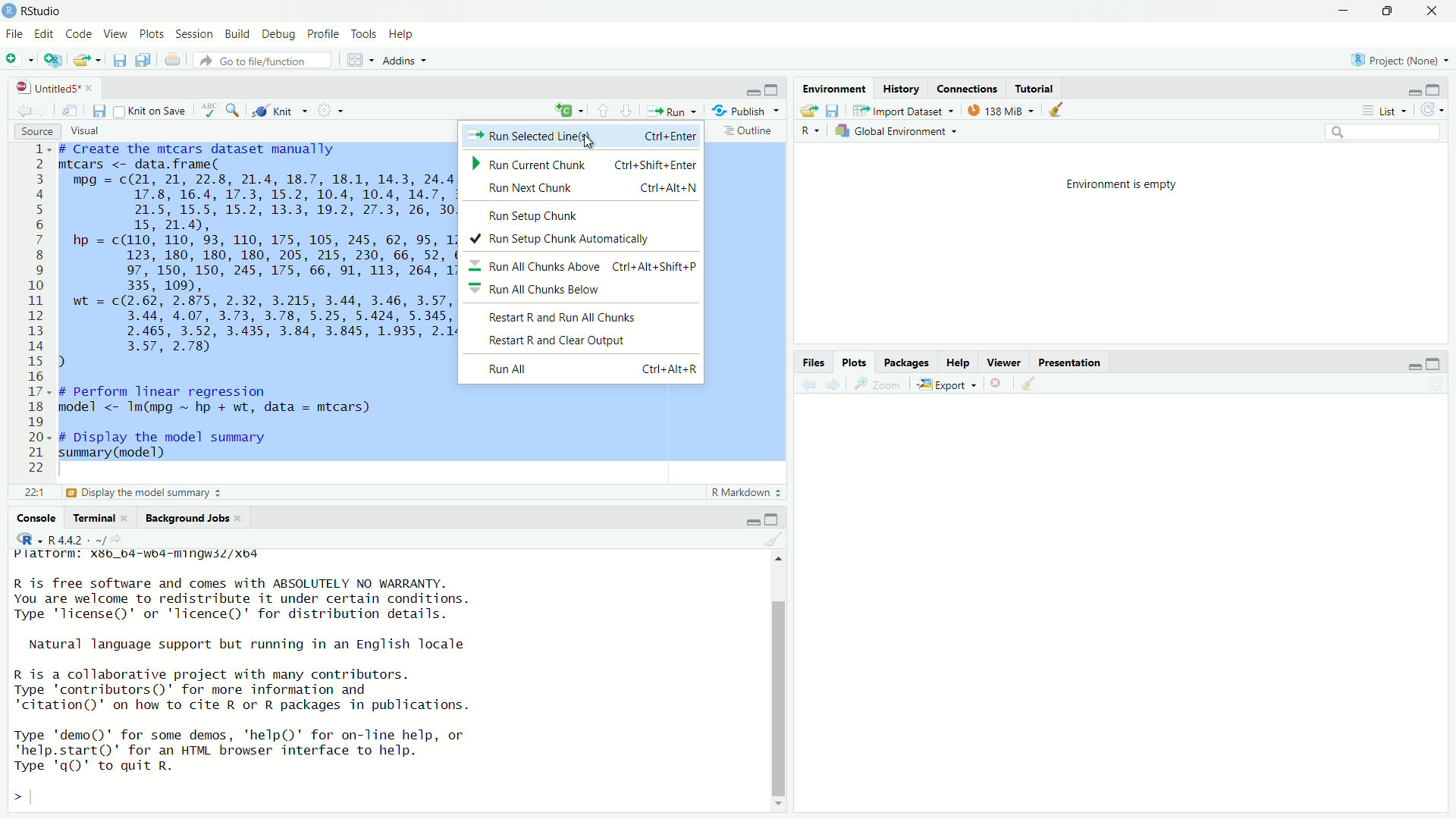 The width and height of the screenshot is (1456, 819). Describe the element at coordinates (1387, 11) in the screenshot. I see `maximize` at that location.